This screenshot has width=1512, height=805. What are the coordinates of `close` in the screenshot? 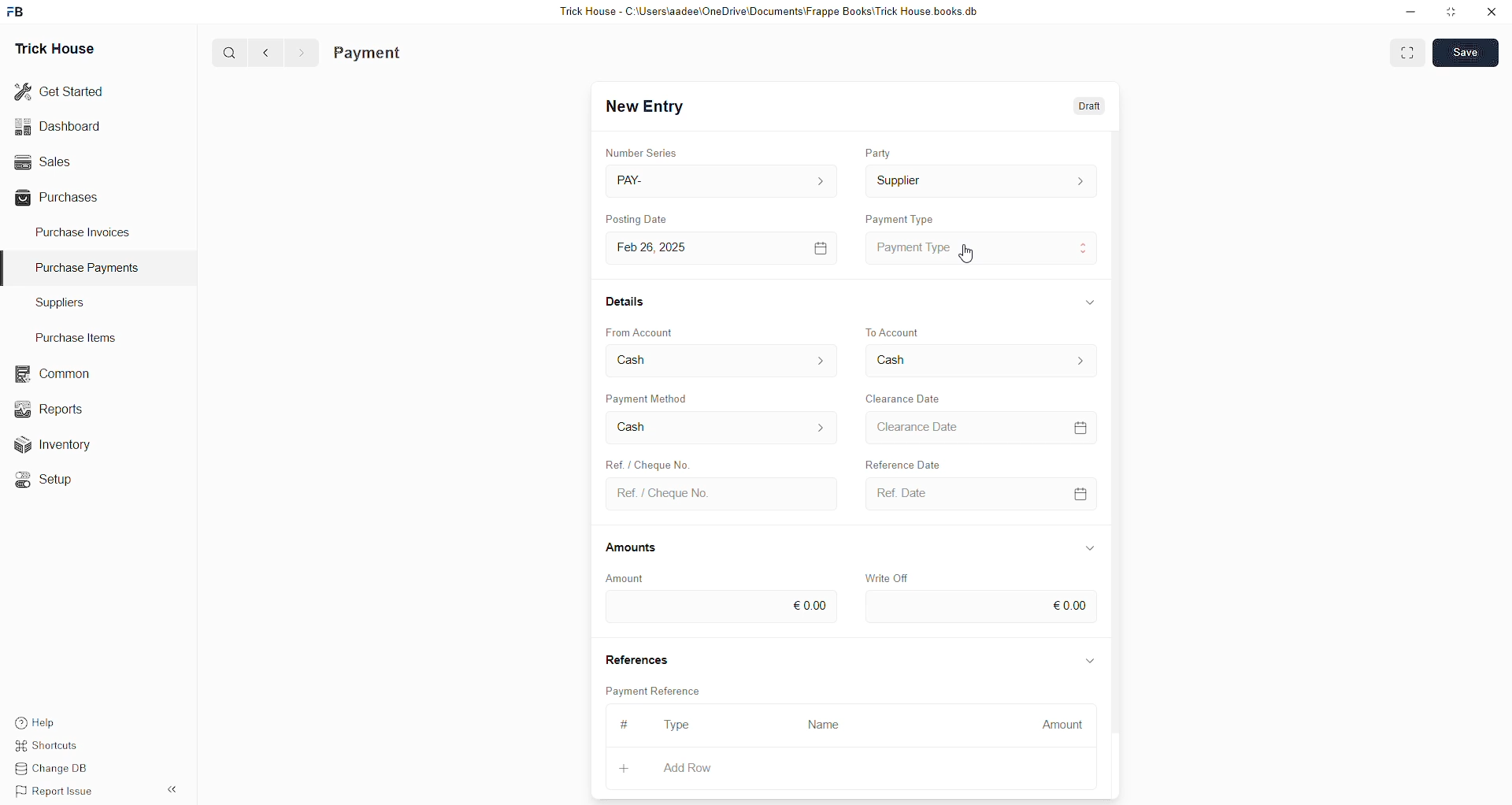 It's located at (1492, 12).